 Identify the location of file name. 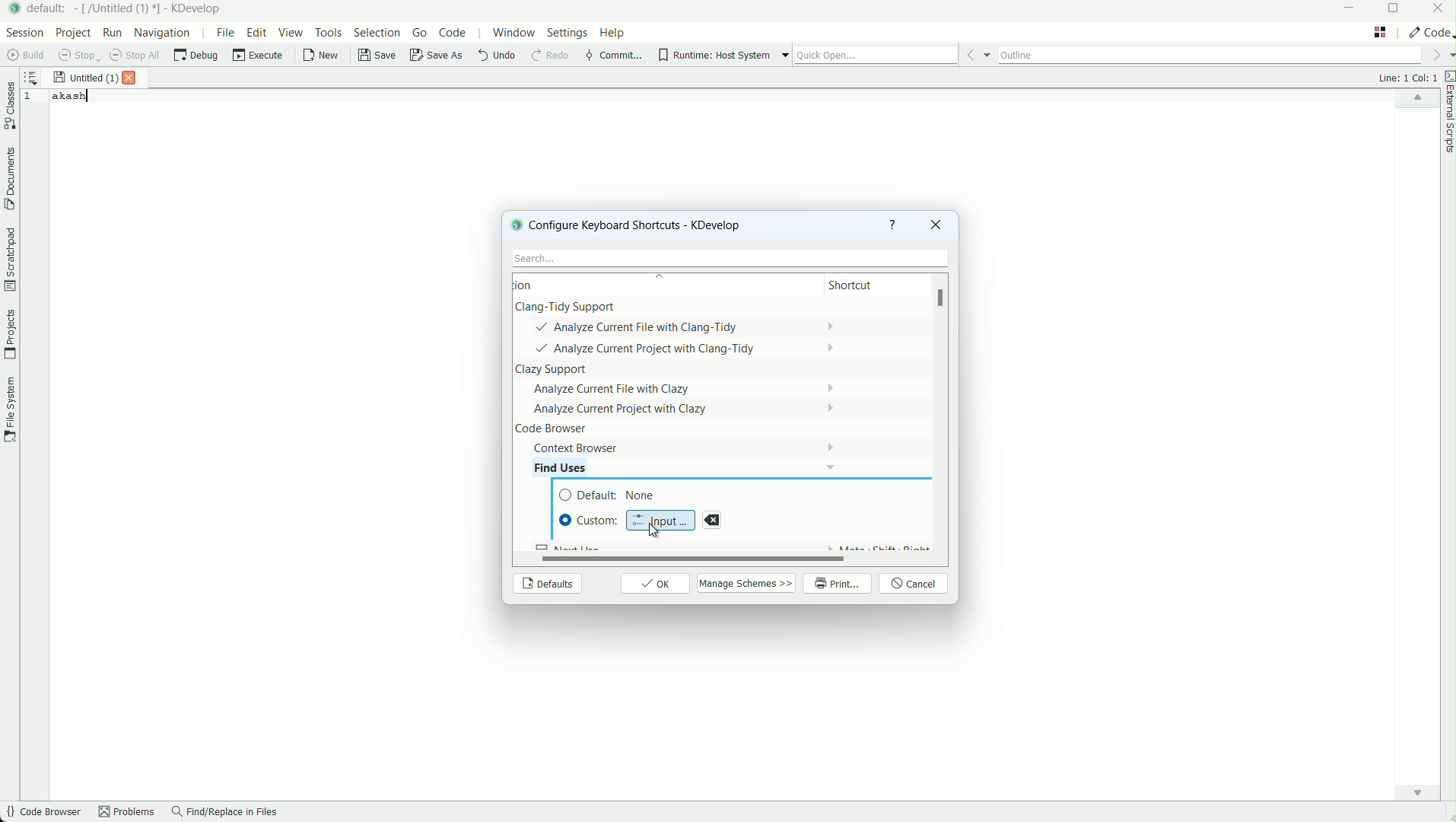
(119, 8).